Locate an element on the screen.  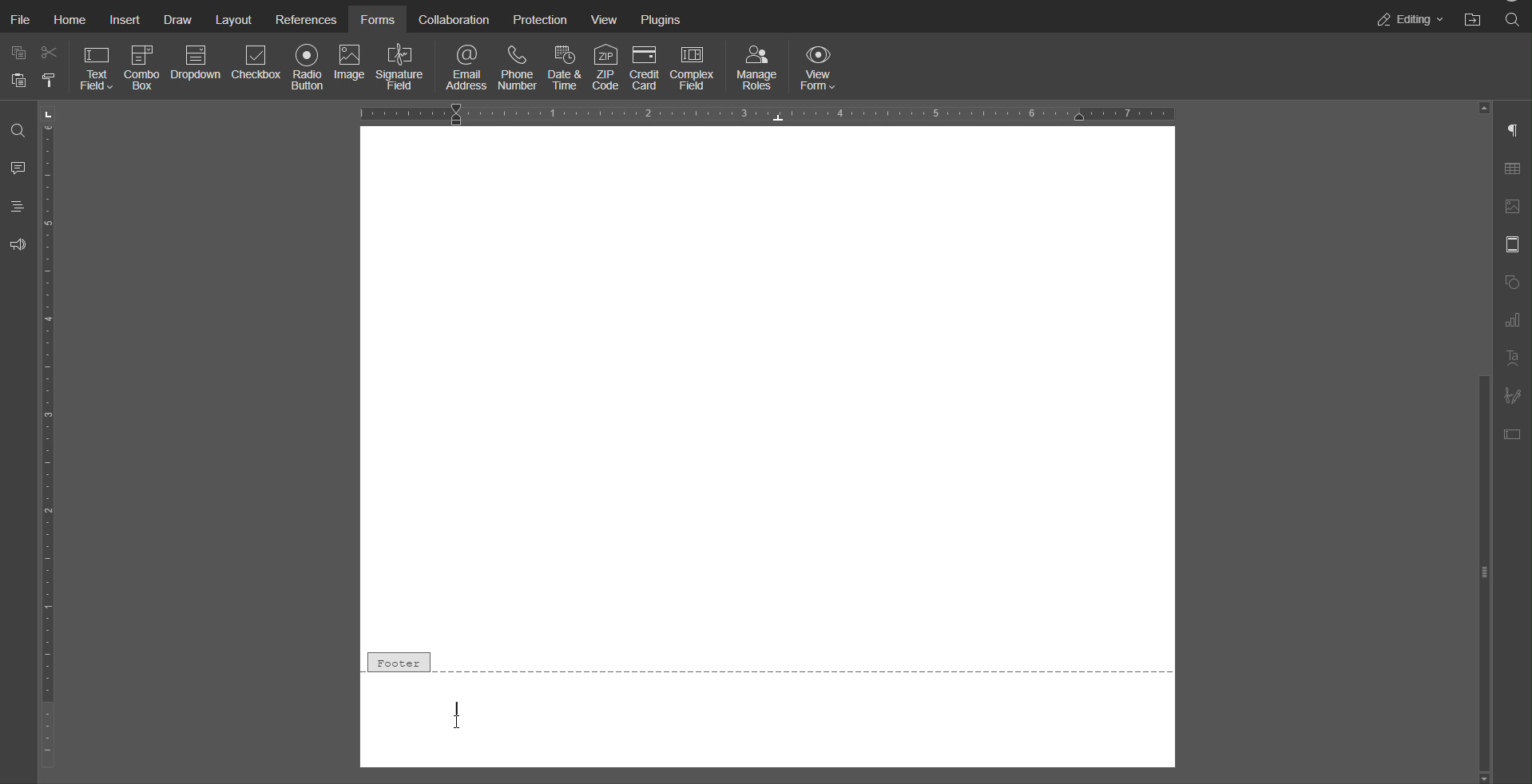
Footer is located at coordinates (768, 663).